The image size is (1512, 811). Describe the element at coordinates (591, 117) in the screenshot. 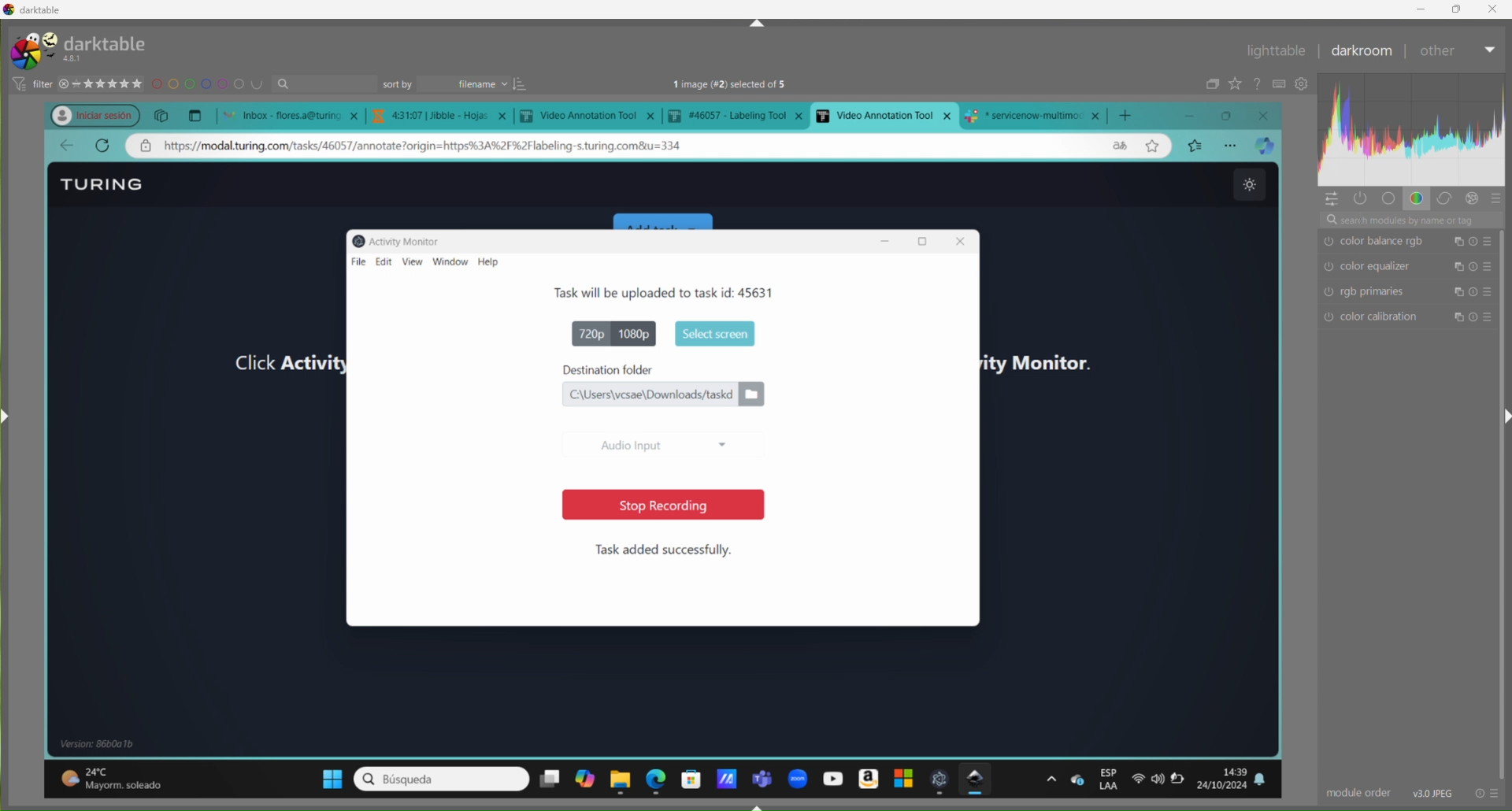

I see `tab` at that location.